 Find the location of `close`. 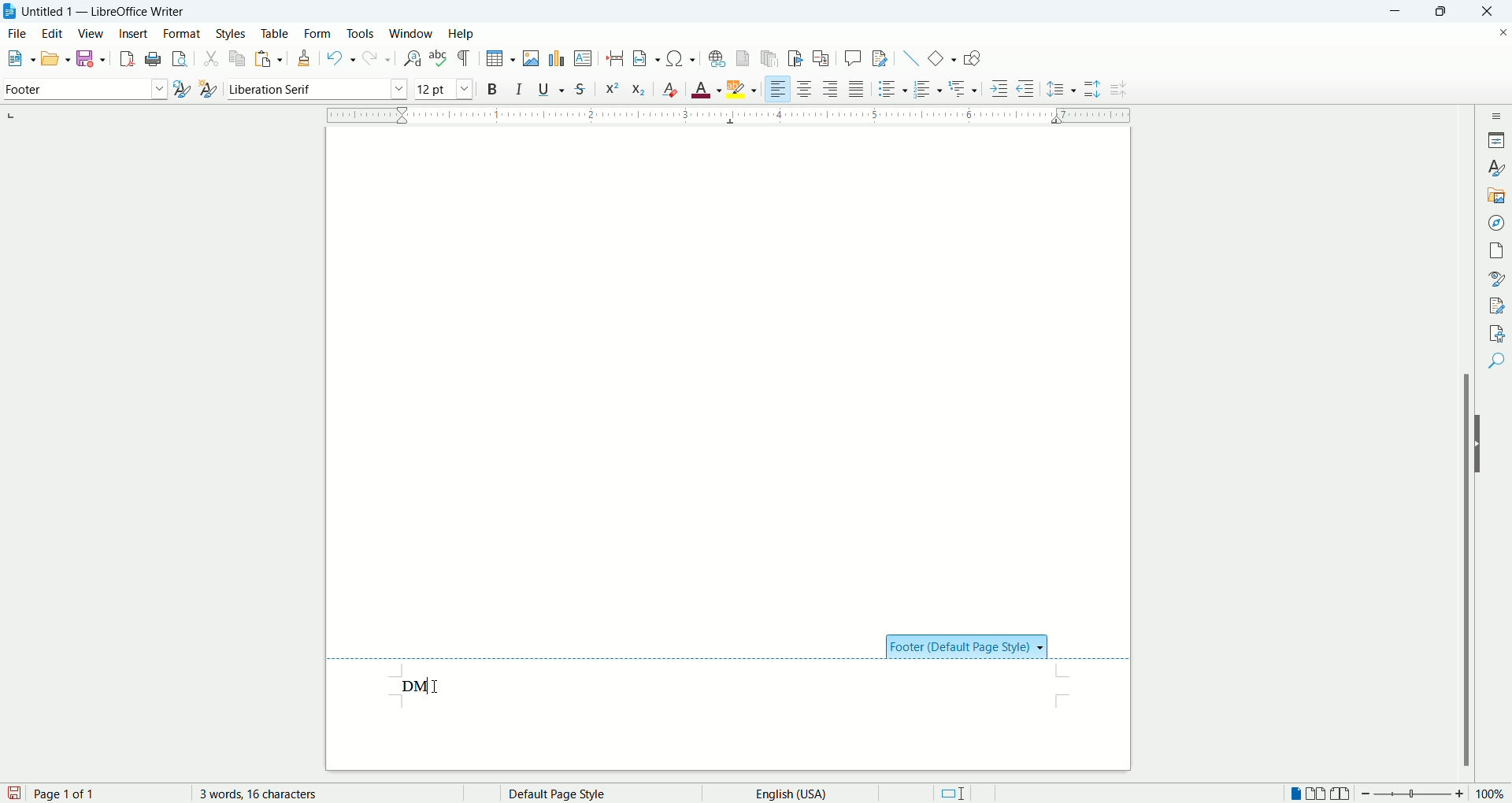

close is located at coordinates (1492, 11).